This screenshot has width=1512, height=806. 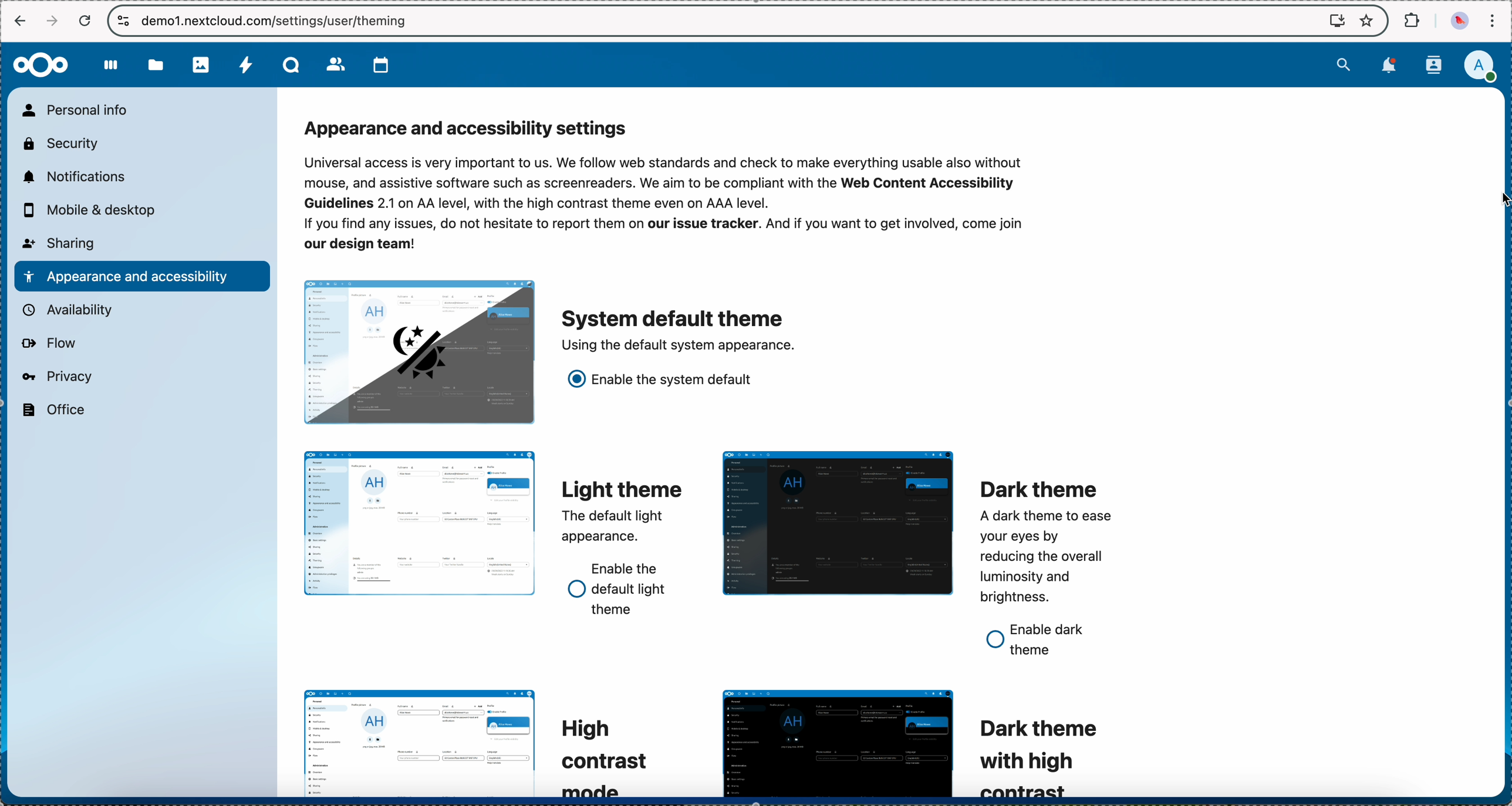 I want to click on light theme preview, so click(x=420, y=524).